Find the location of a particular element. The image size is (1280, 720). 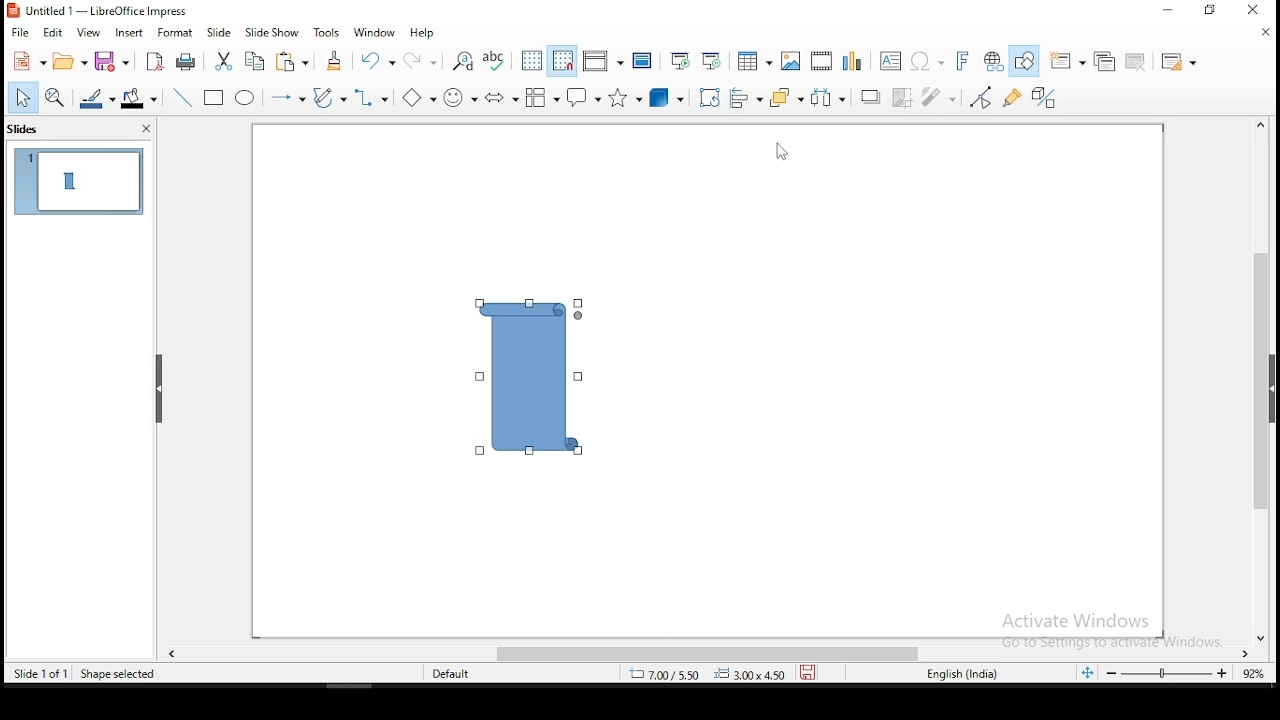

duplicate slide is located at coordinates (1106, 59).